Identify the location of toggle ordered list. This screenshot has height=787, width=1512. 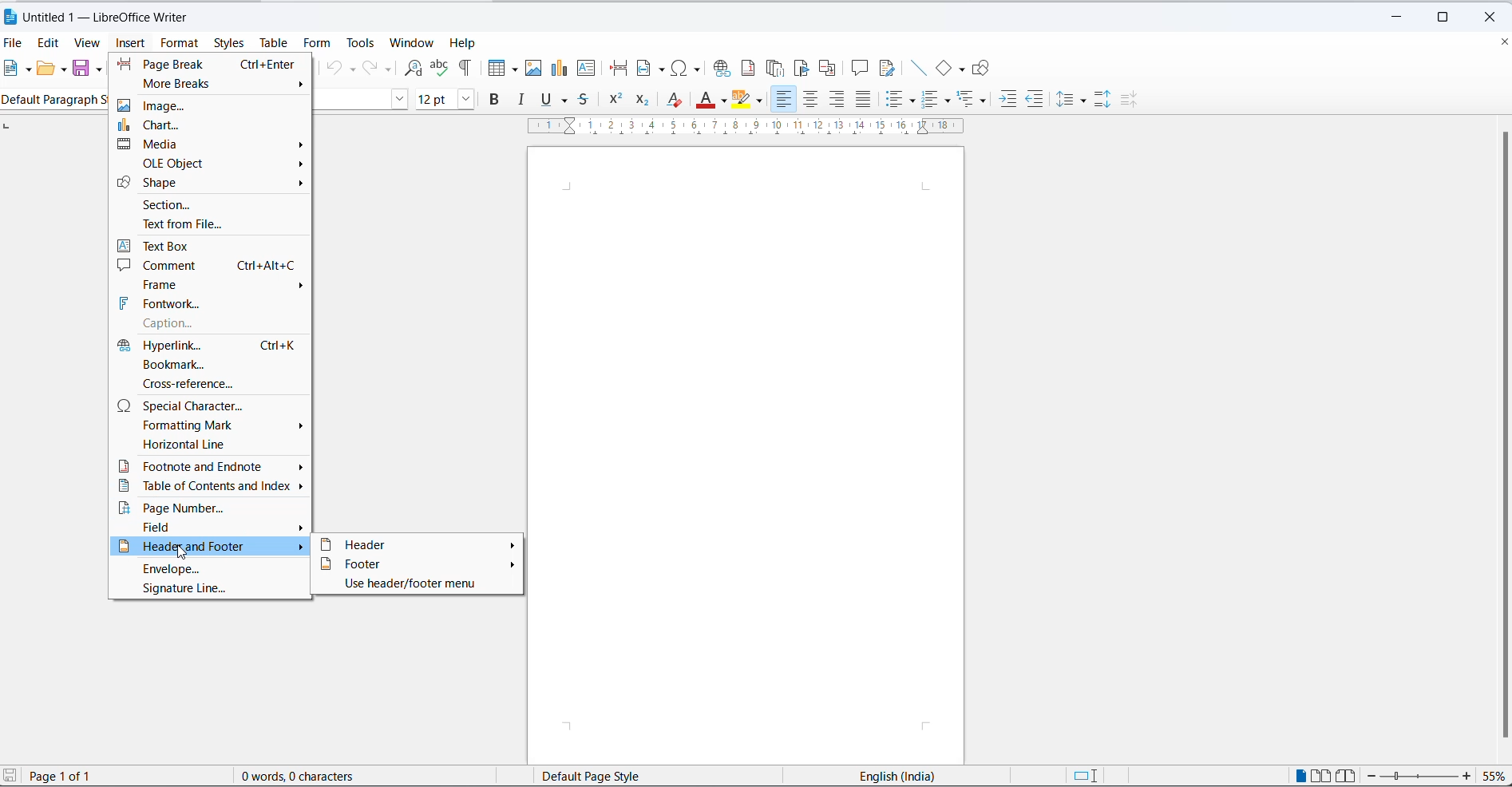
(933, 99).